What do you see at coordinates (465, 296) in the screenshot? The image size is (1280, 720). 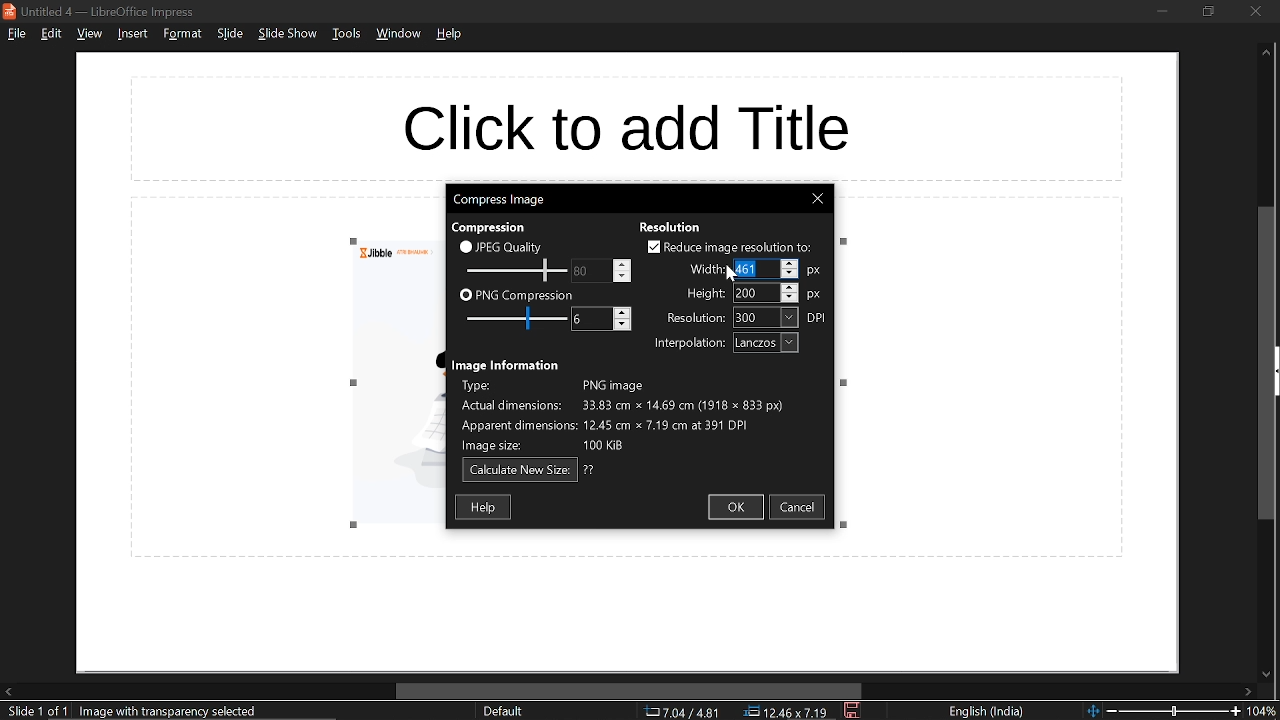 I see `checkbox` at bounding box center [465, 296].